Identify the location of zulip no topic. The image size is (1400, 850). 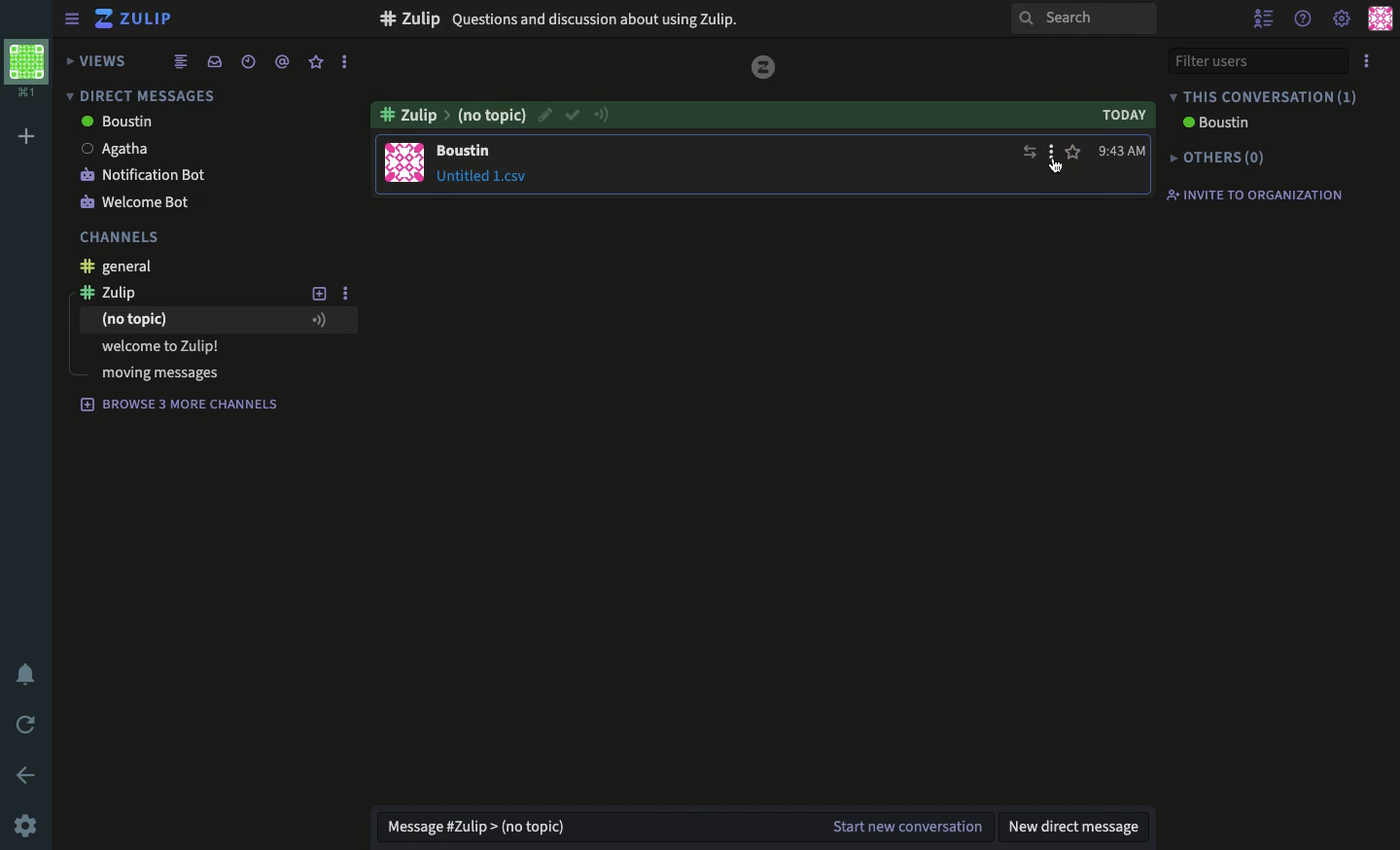
(452, 114).